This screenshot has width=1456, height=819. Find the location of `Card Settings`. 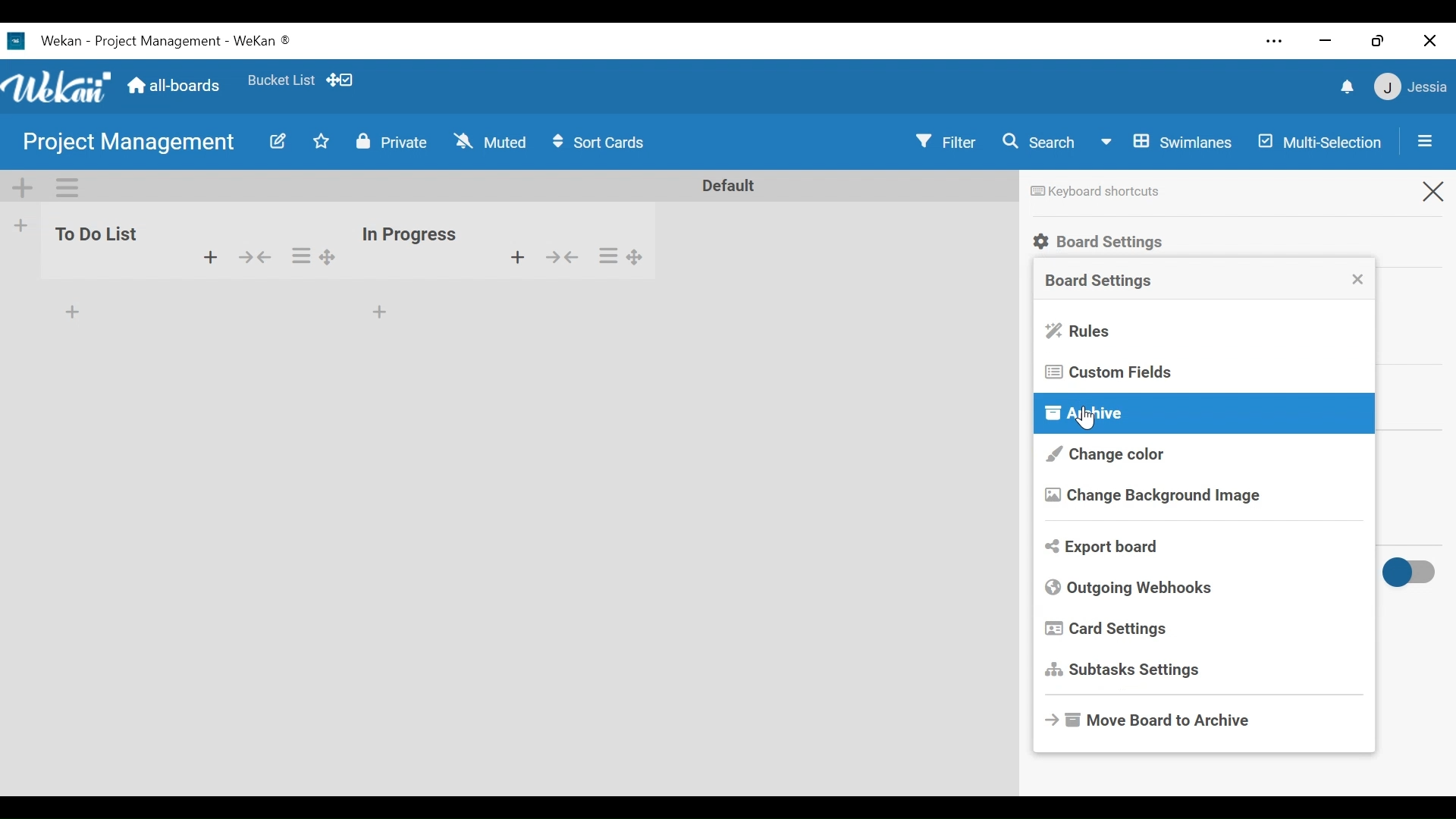

Card Settings is located at coordinates (1109, 629).